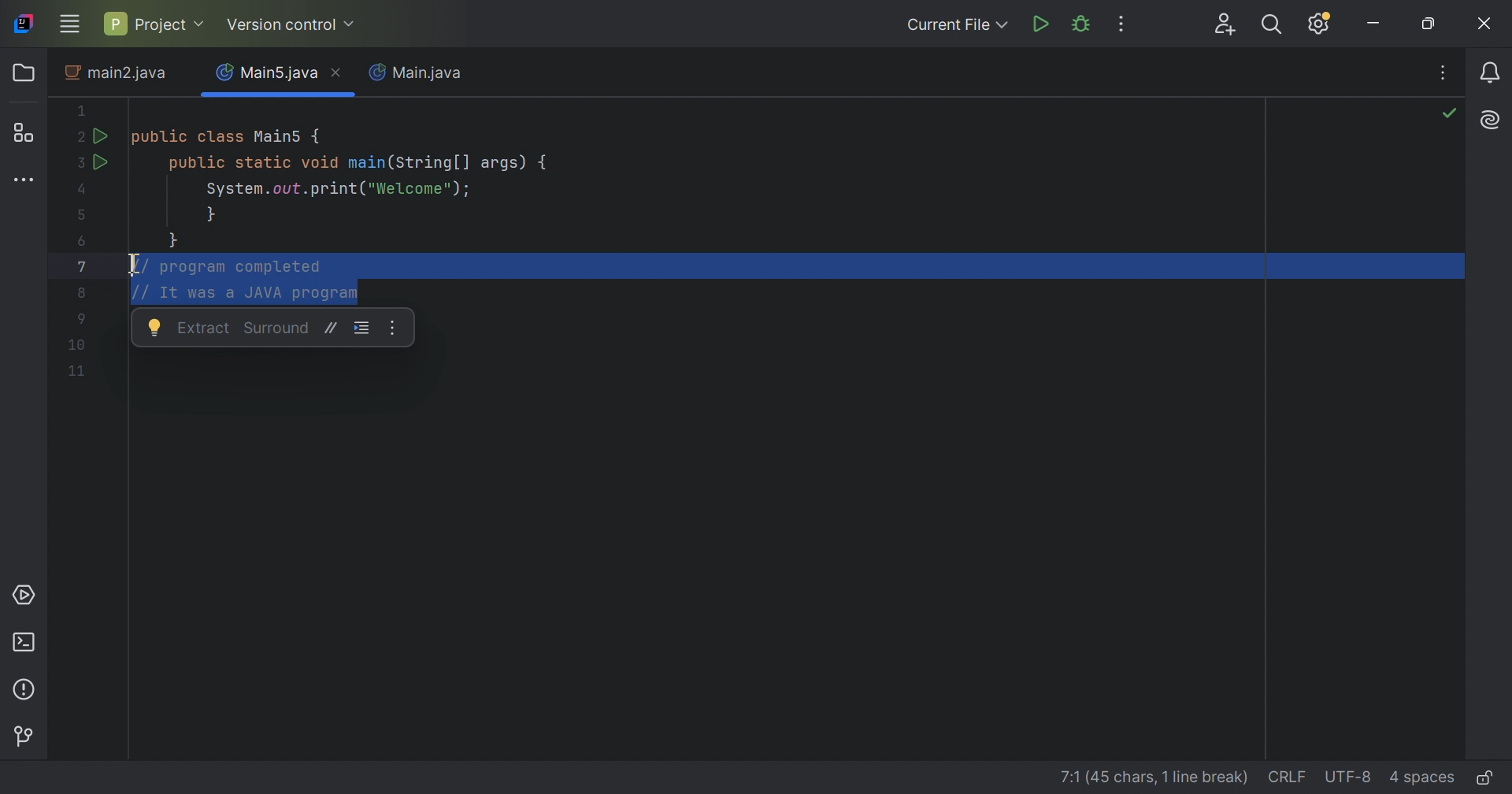 Image resolution: width=1512 pixels, height=794 pixels. I want to click on AI Assistant, so click(1492, 121).